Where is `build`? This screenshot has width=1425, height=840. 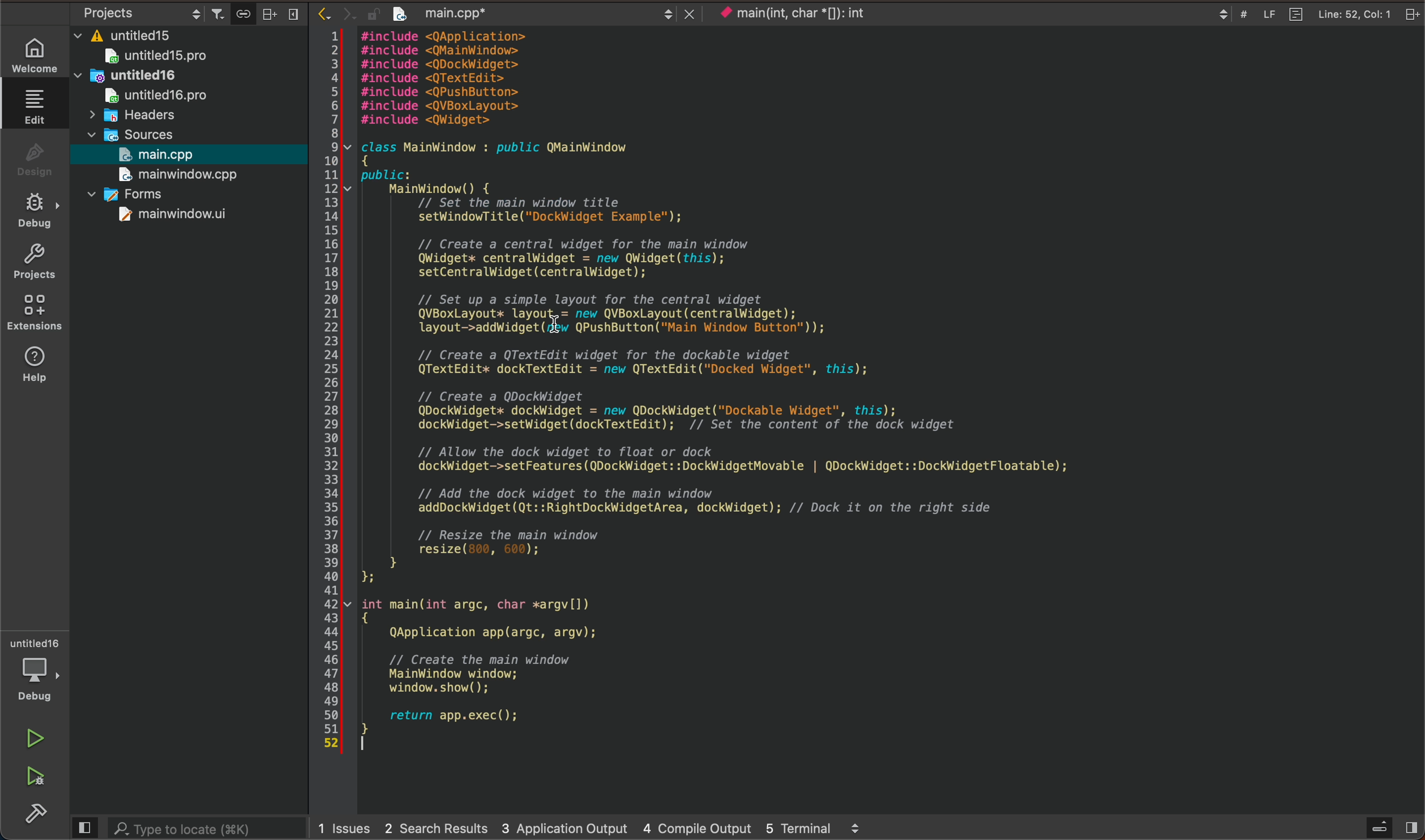 build is located at coordinates (41, 814).